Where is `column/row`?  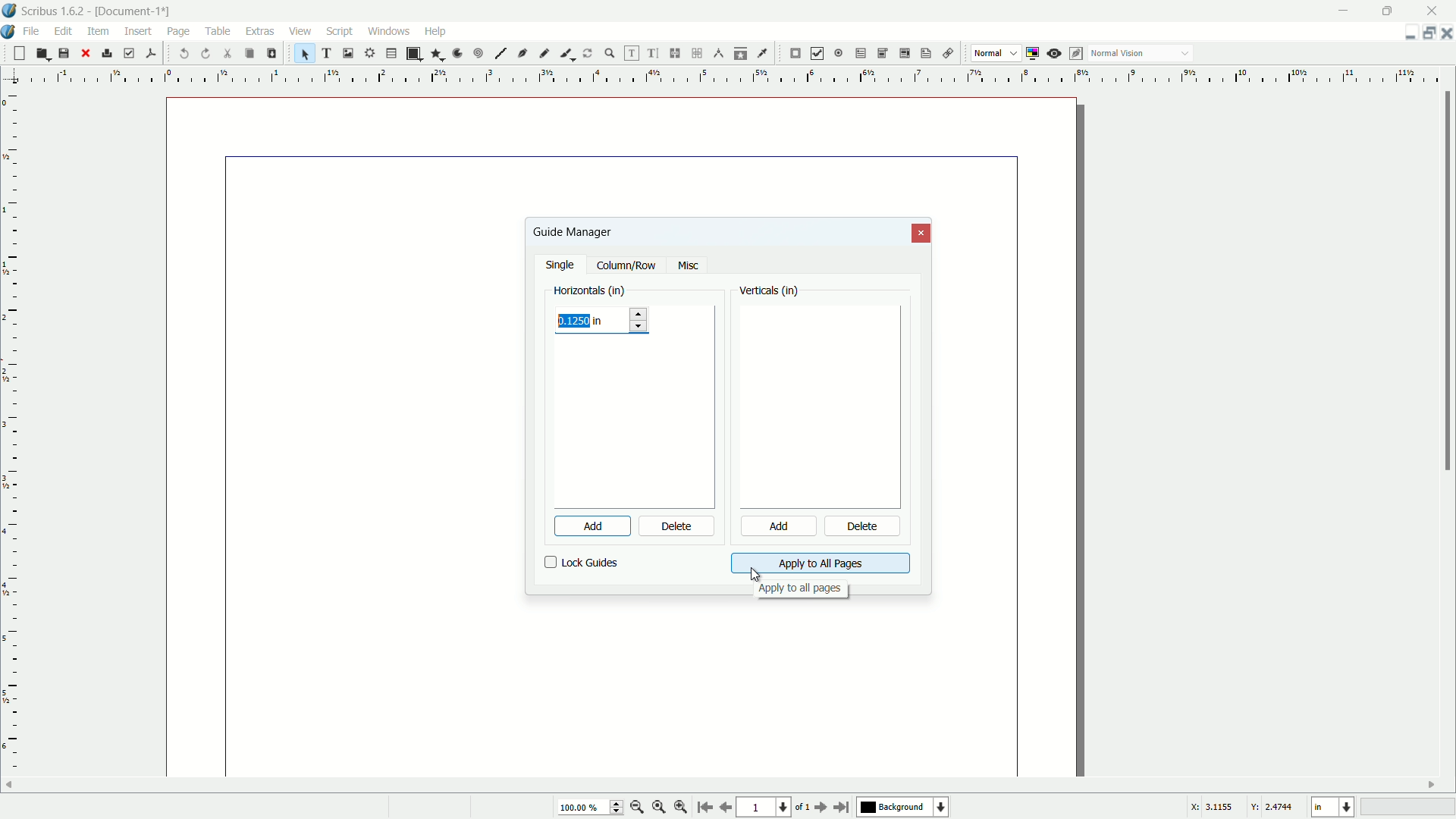
column/row is located at coordinates (626, 266).